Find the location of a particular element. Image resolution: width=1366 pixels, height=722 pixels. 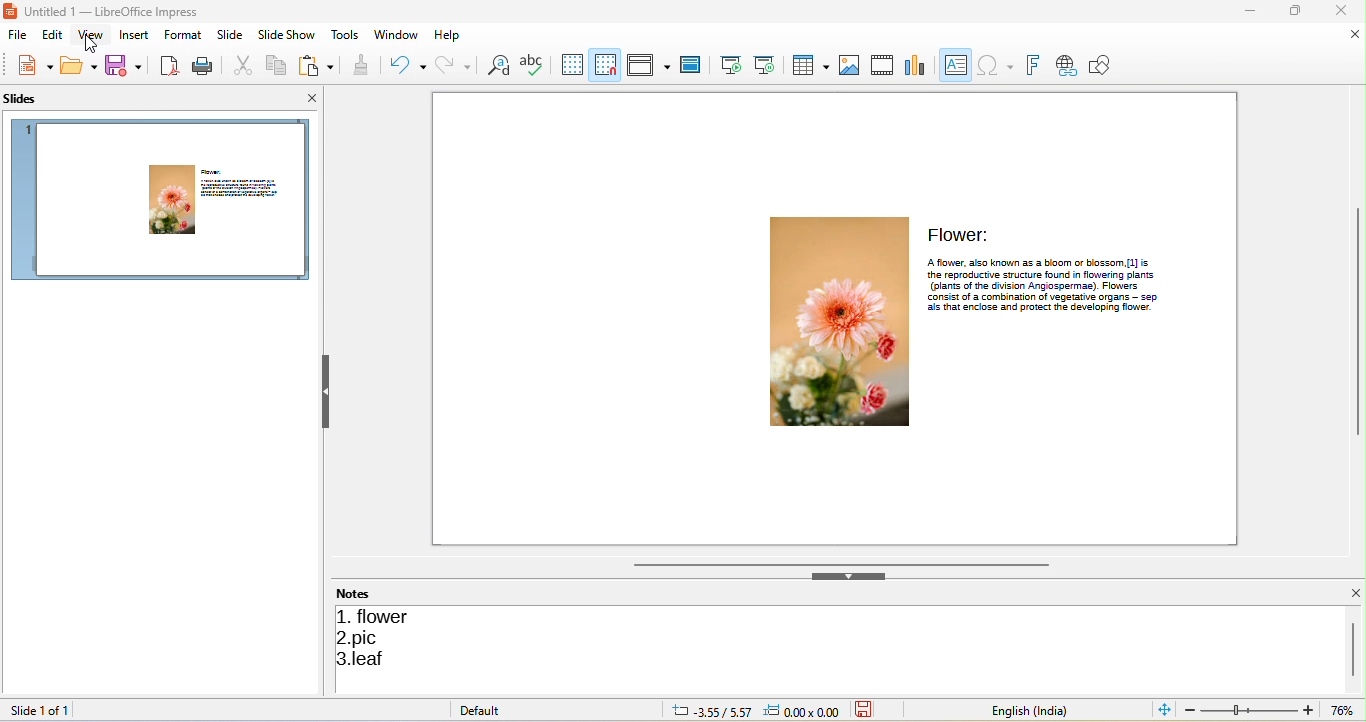

leaf is located at coordinates (368, 660).